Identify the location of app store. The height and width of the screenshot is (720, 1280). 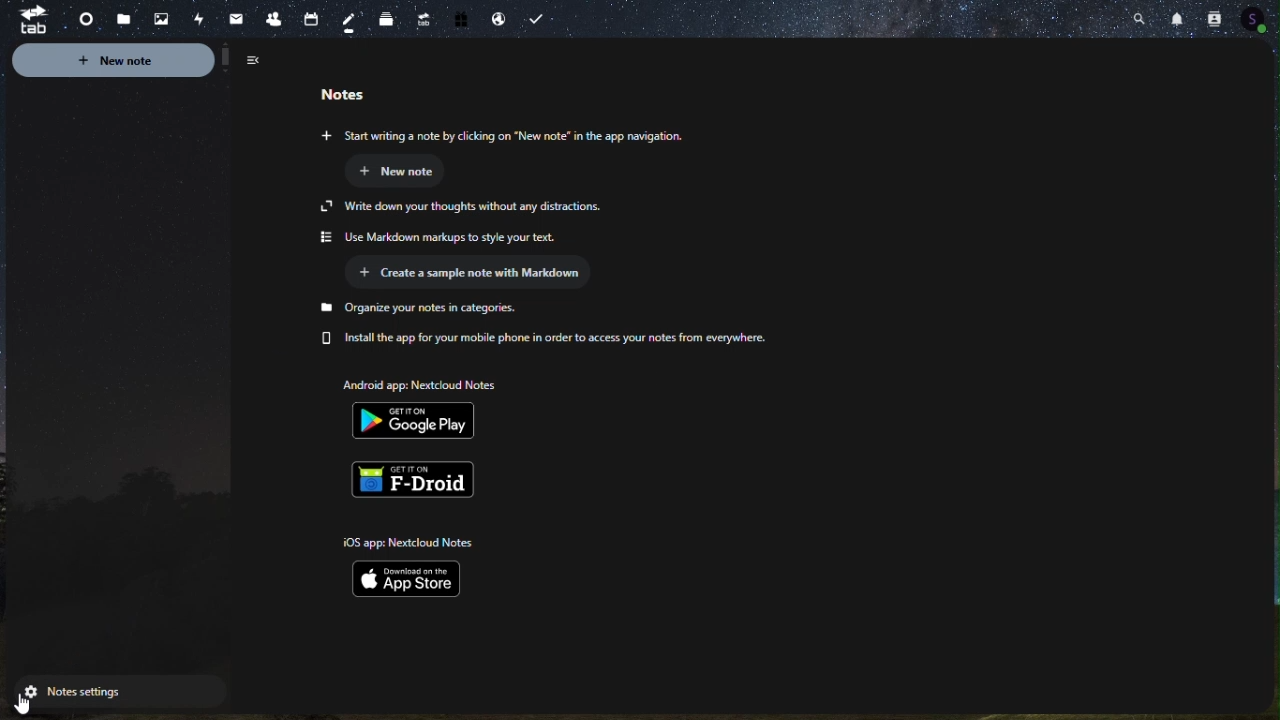
(414, 563).